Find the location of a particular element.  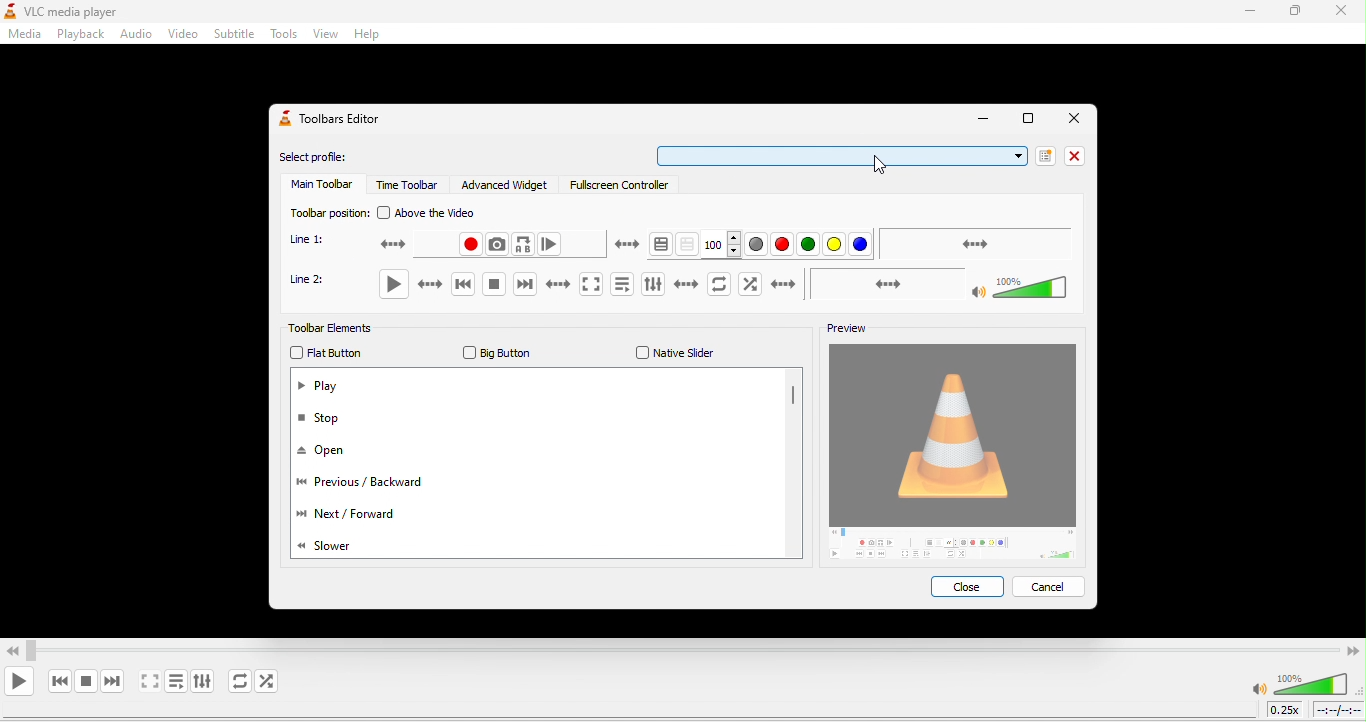

random is located at coordinates (764, 287).